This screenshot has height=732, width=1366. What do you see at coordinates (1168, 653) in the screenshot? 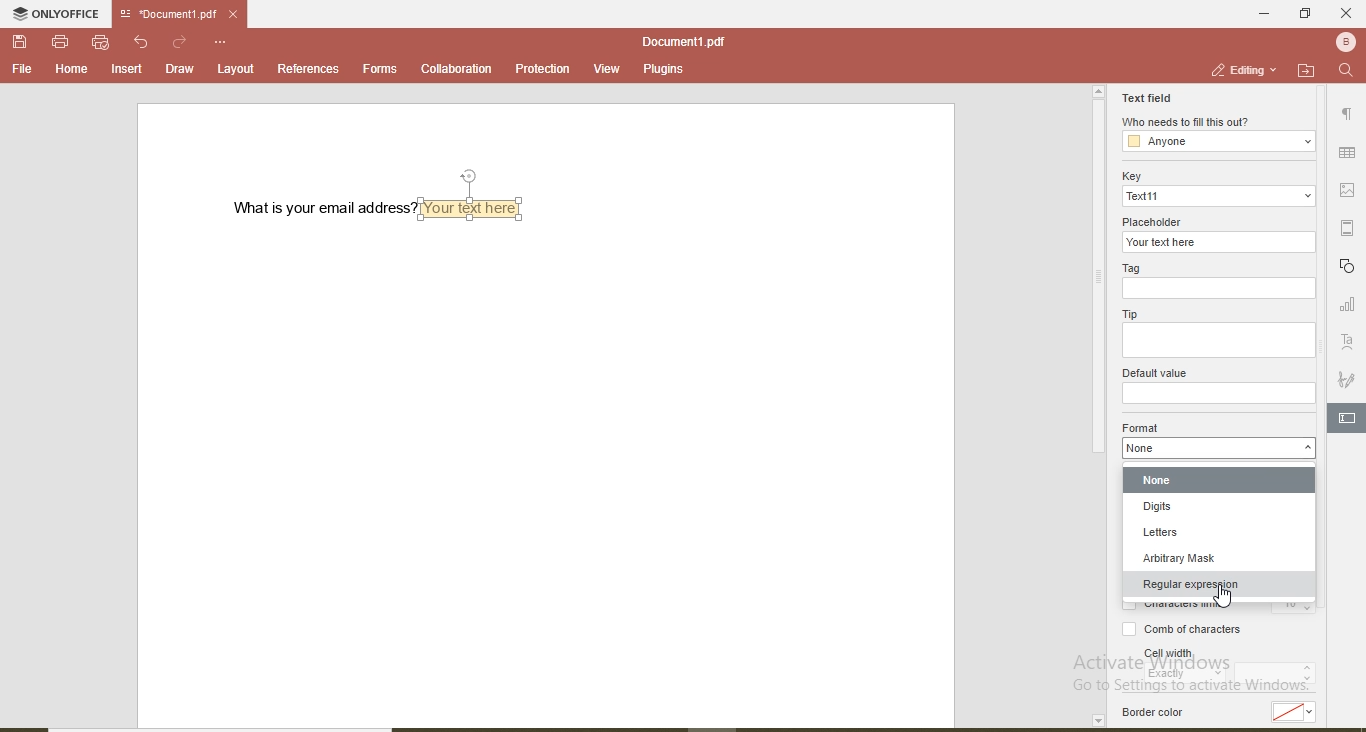
I see `cell width` at bounding box center [1168, 653].